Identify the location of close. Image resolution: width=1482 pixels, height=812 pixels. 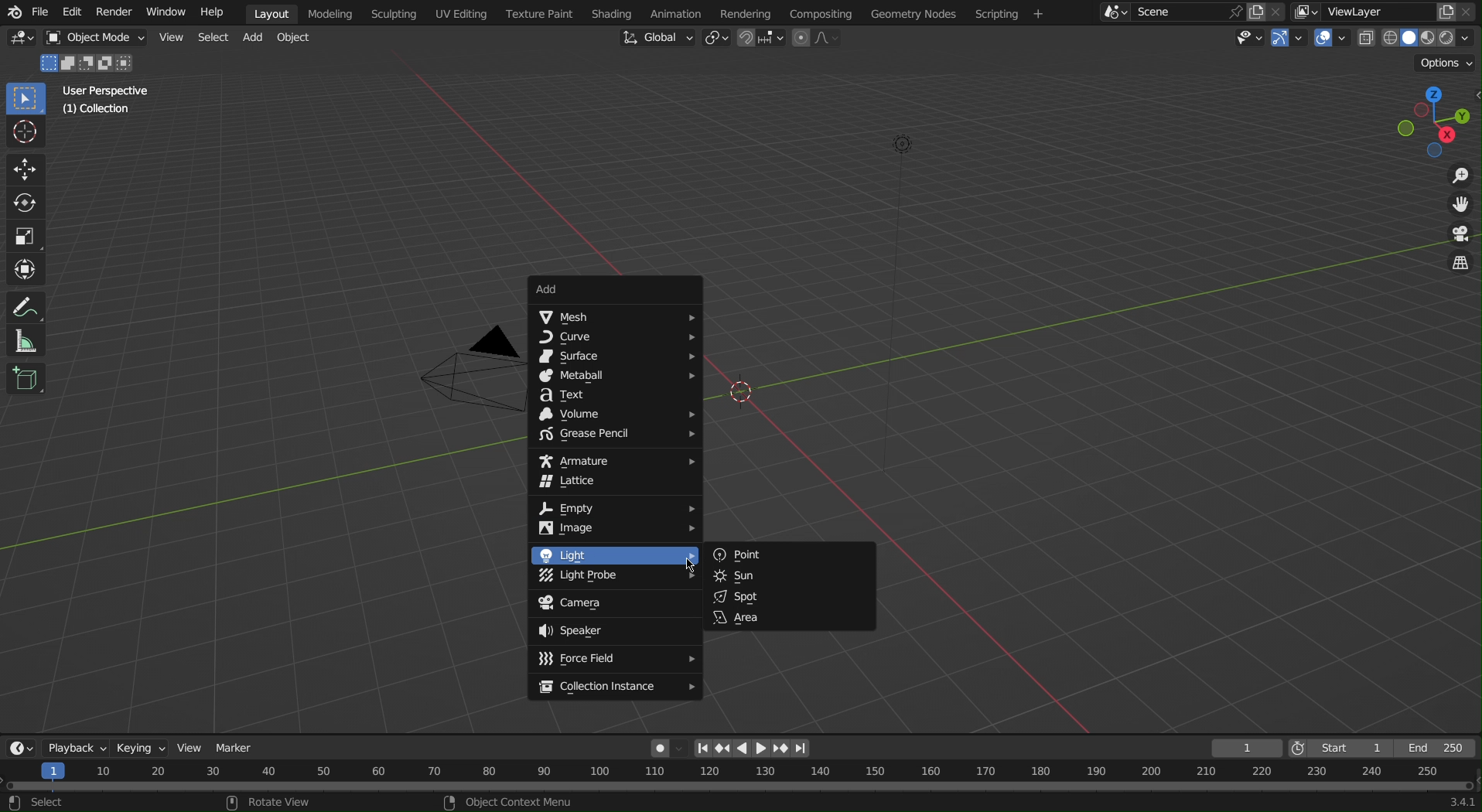
(1470, 12).